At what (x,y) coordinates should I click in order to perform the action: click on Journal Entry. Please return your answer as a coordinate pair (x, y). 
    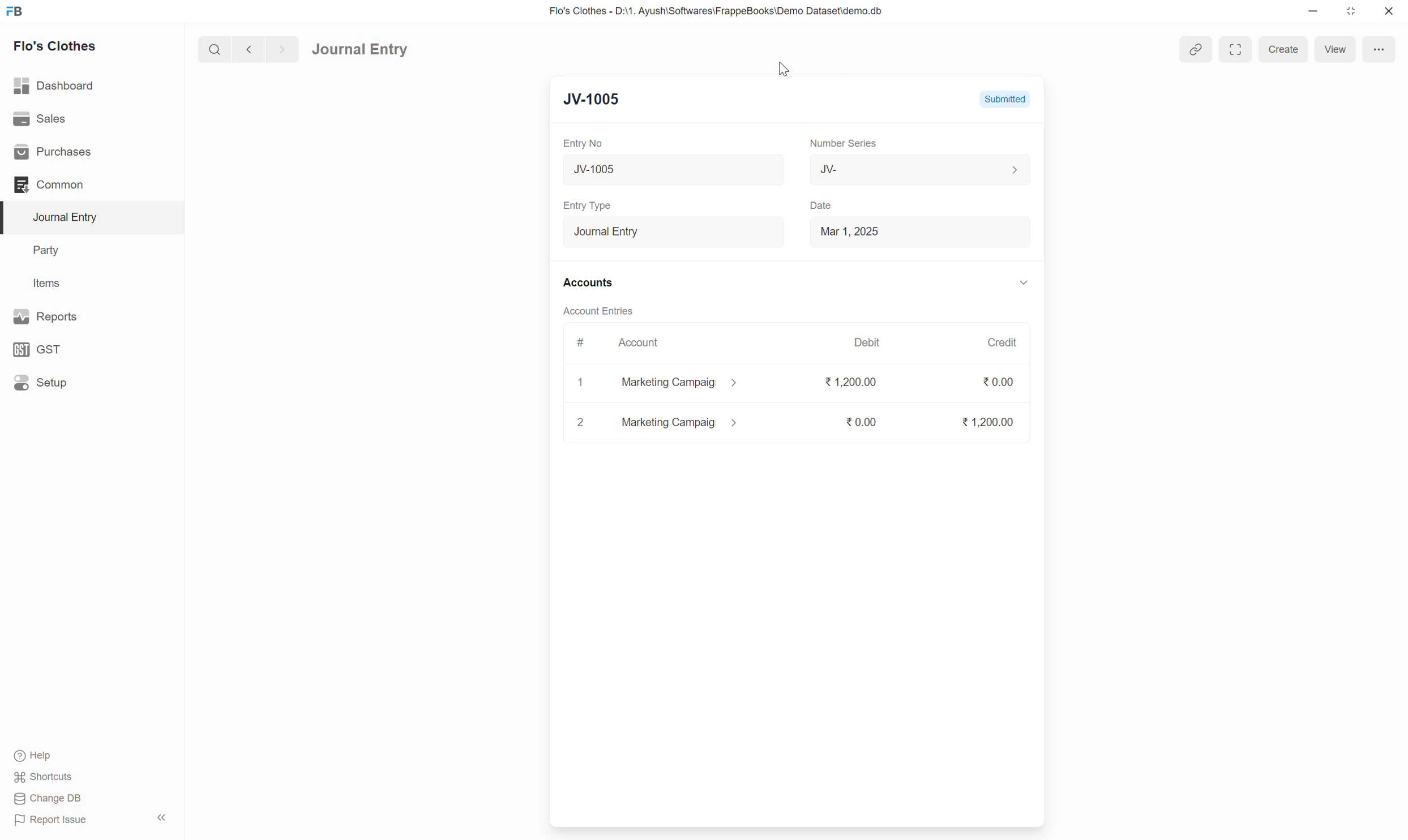
    Looking at the image, I should click on (360, 50).